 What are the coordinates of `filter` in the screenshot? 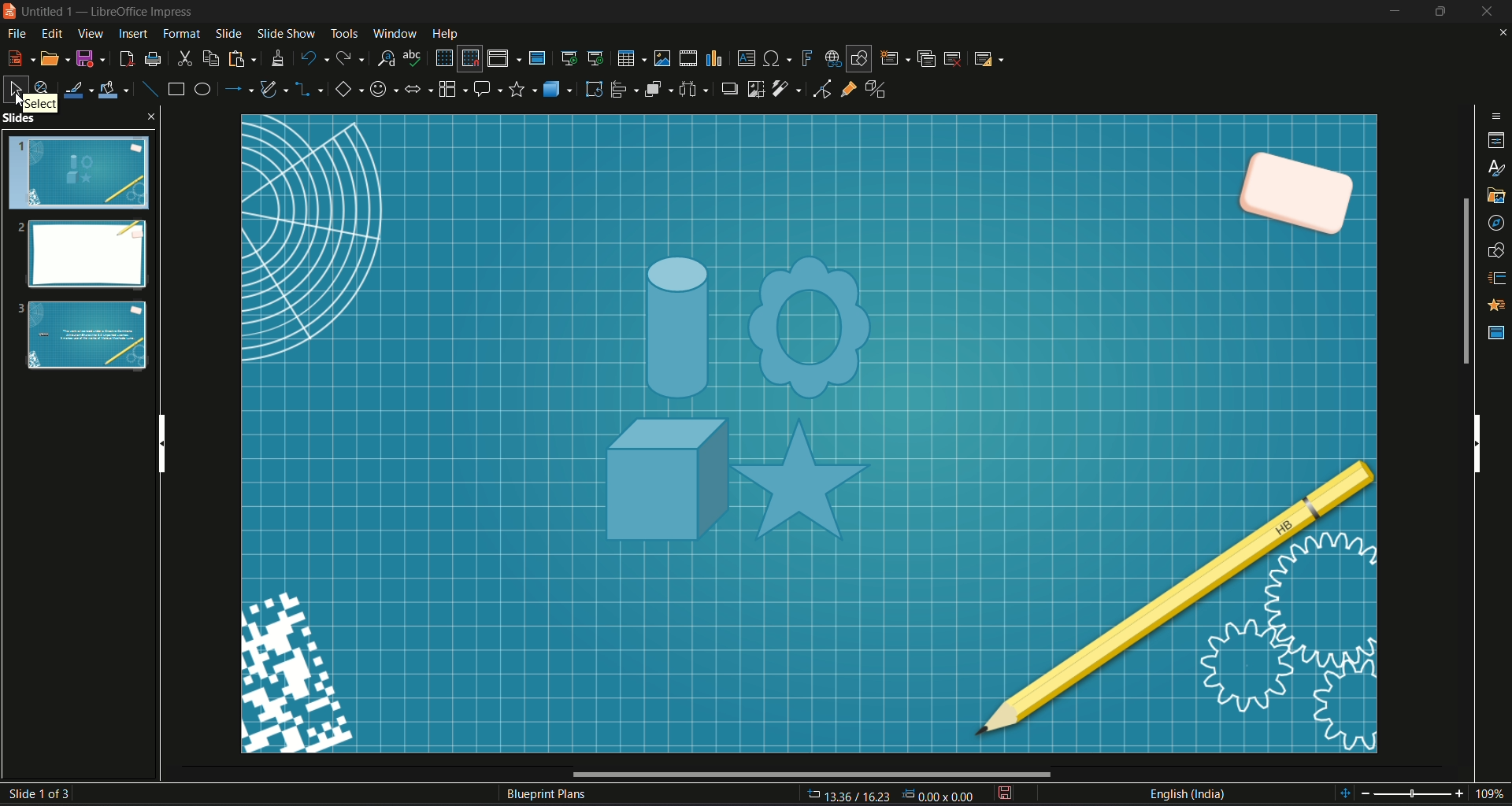 It's located at (787, 89).